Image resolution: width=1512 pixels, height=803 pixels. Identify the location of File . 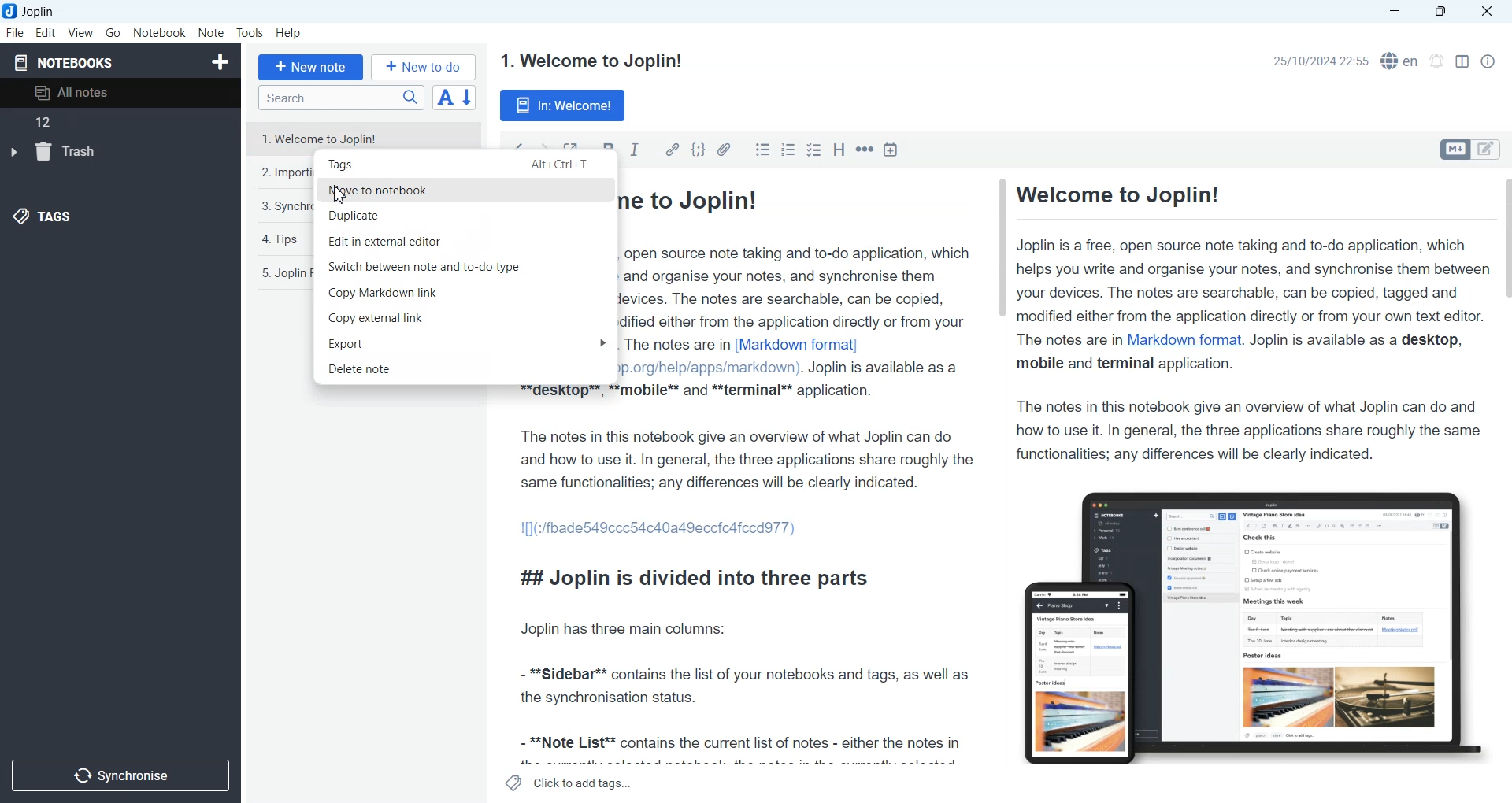
(14, 32).